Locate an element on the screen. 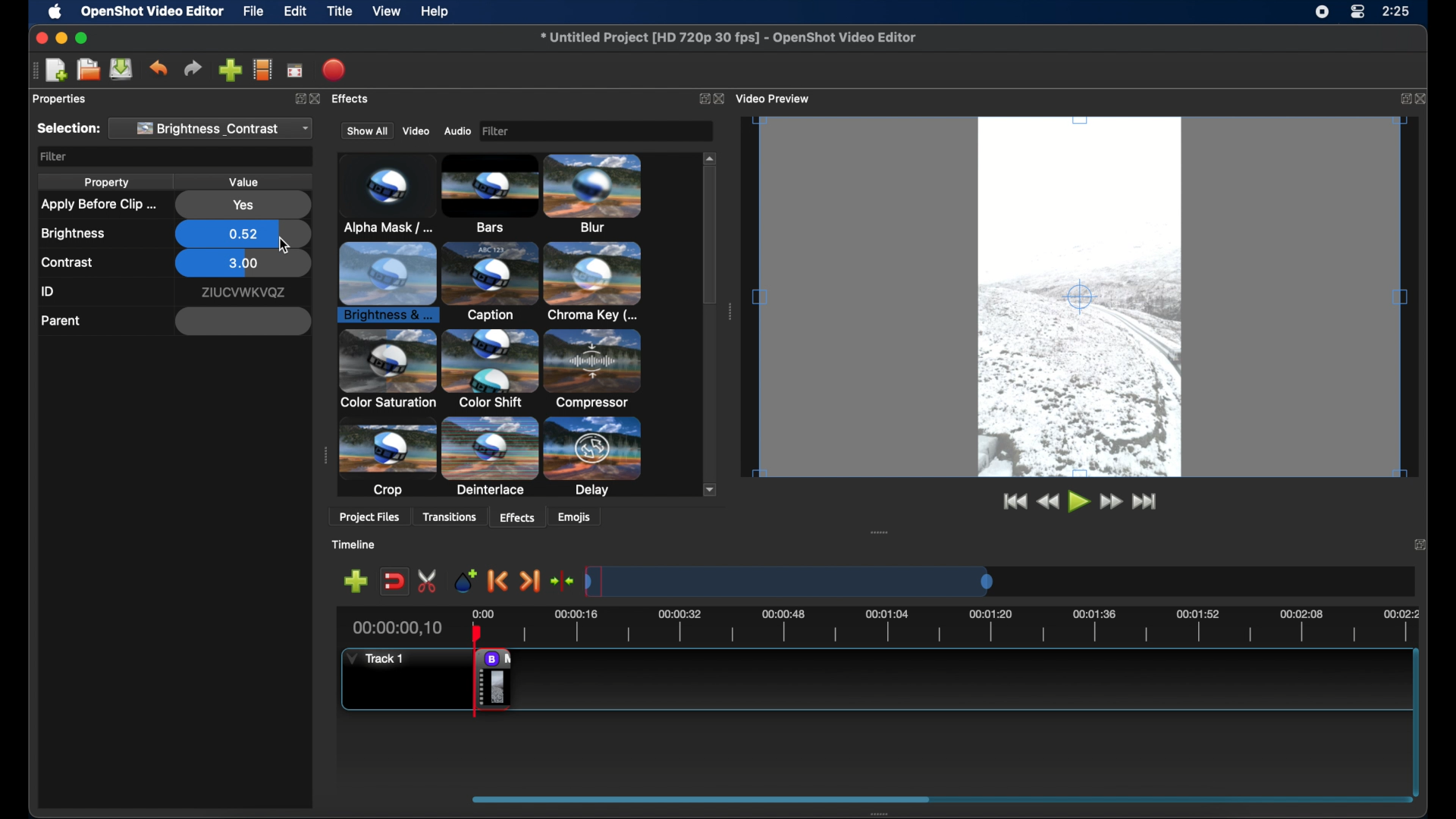  scroll up arrow is located at coordinates (708, 156).